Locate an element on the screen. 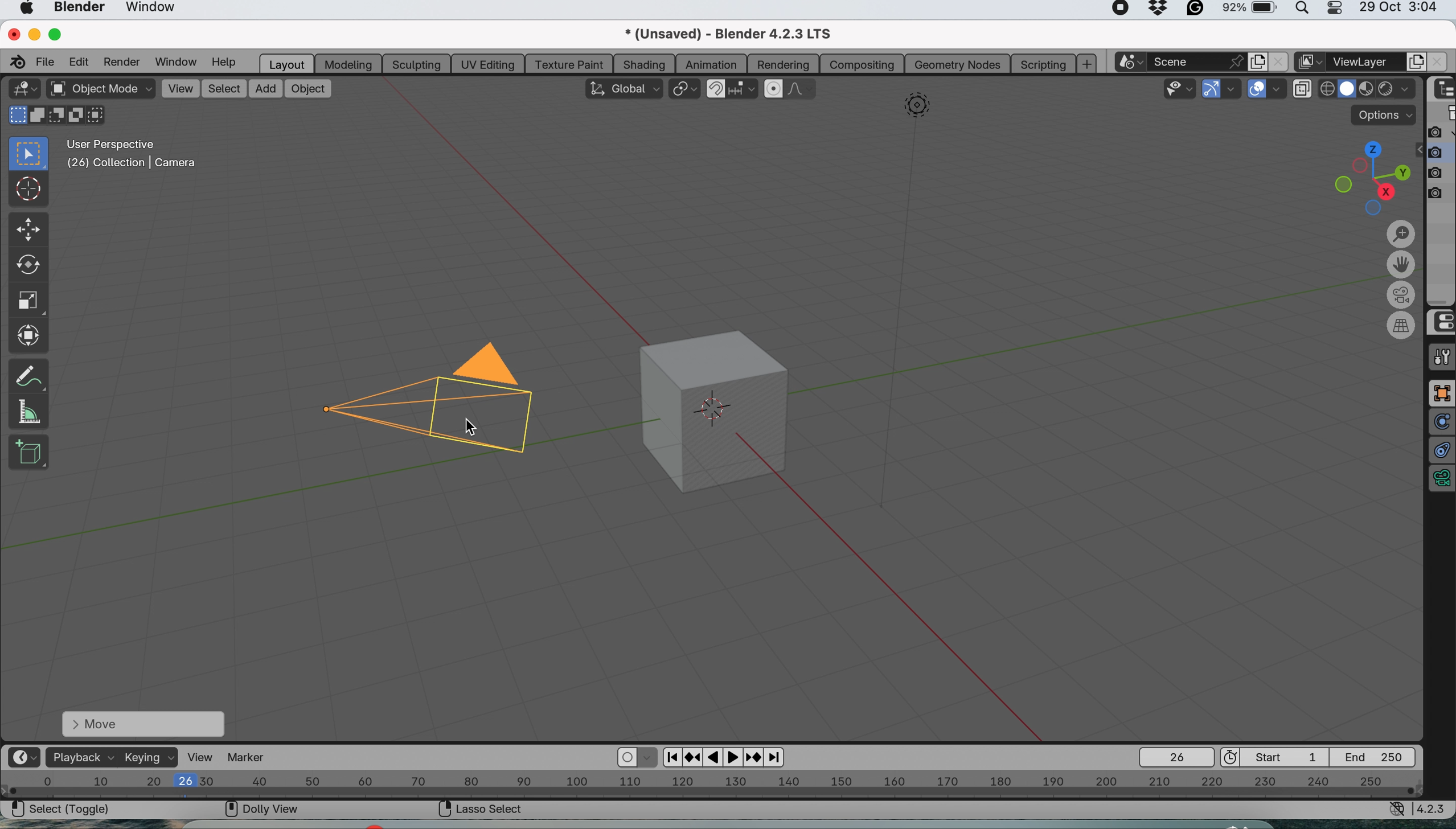  material preview display is located at coordinates (1348, 89).